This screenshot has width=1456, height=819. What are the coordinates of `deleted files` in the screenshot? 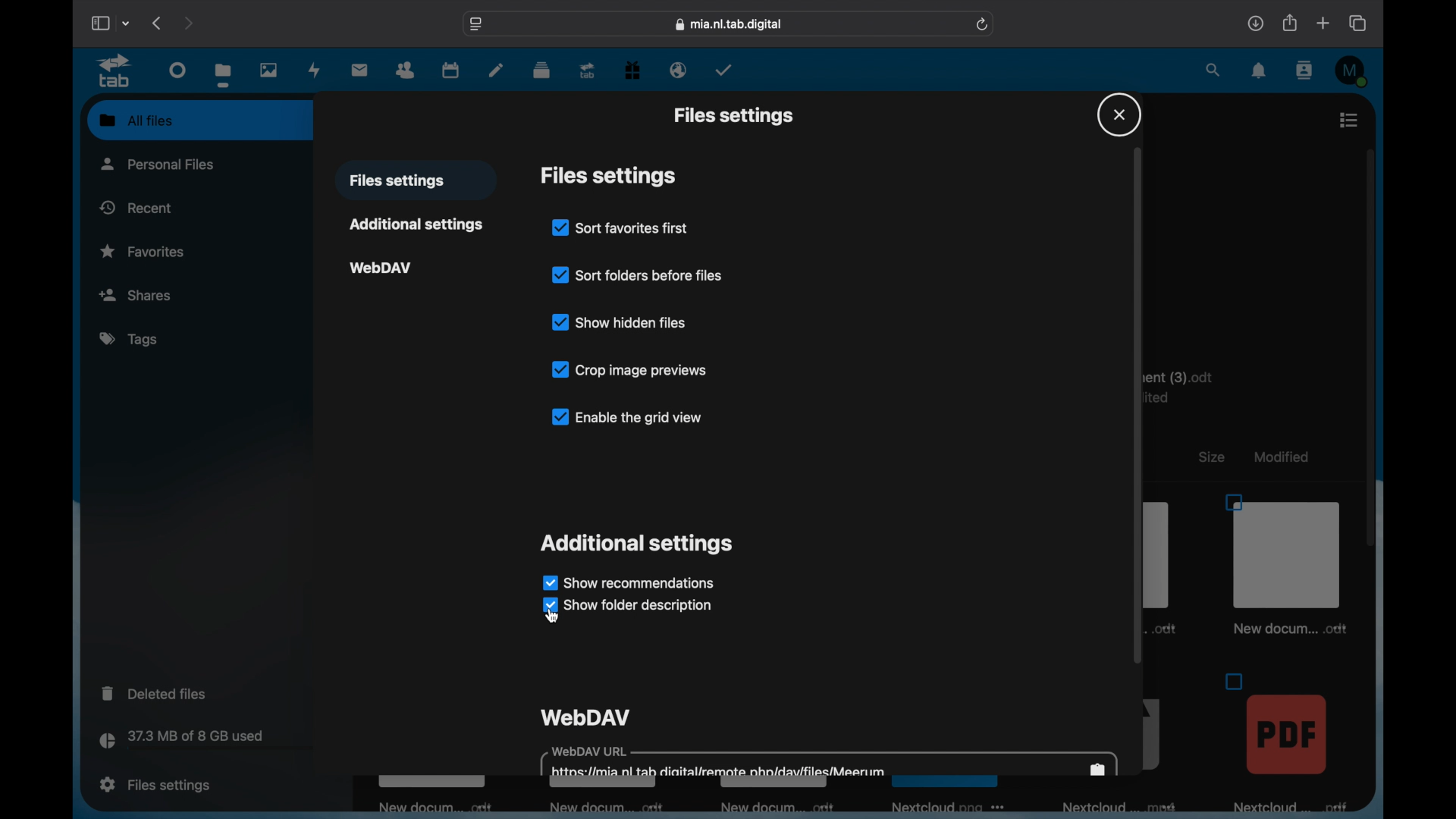 It's located at (153, 692).